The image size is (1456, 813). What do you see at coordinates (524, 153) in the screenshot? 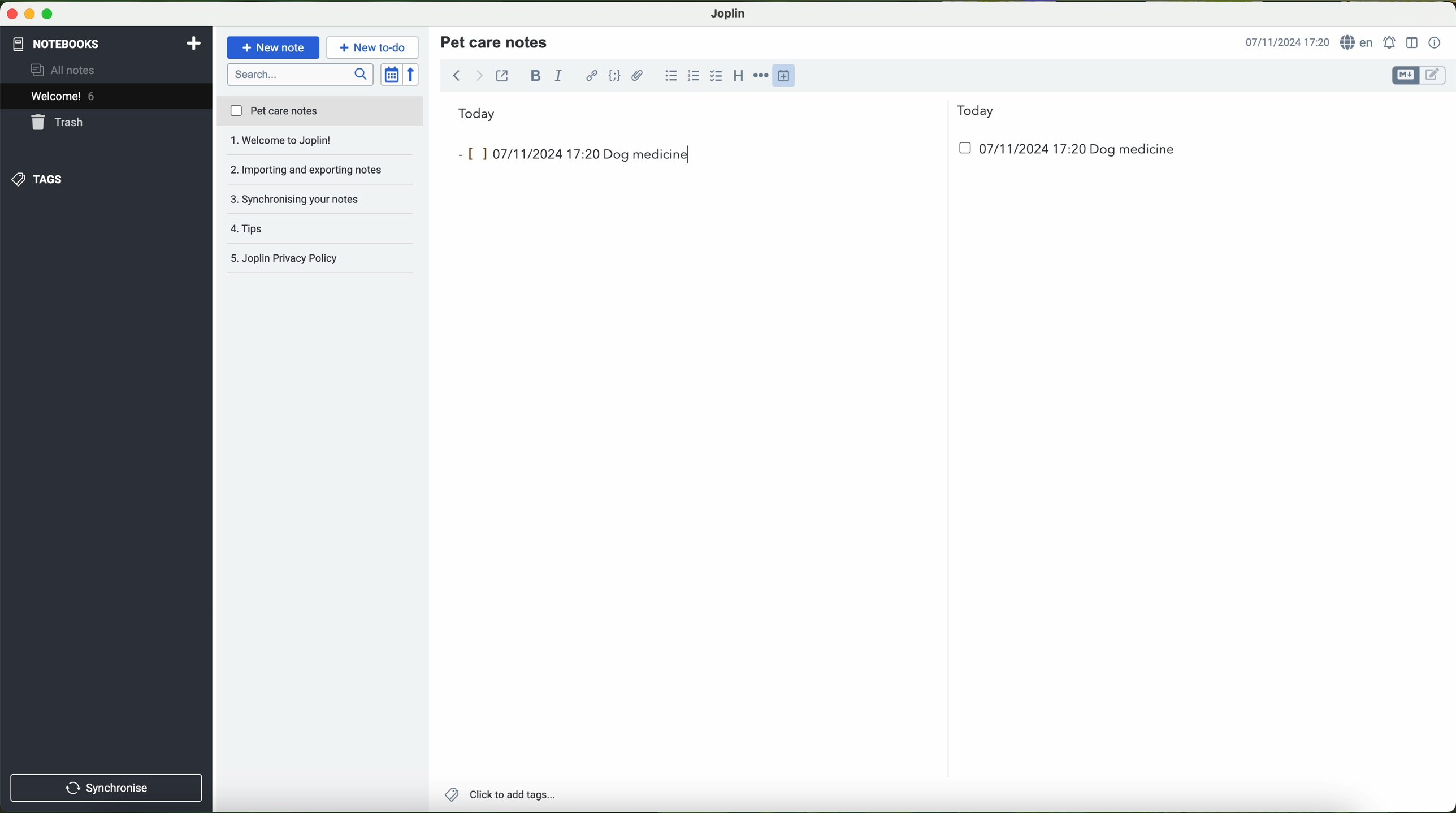
I see `inputs` at bounding box center [524, 153].